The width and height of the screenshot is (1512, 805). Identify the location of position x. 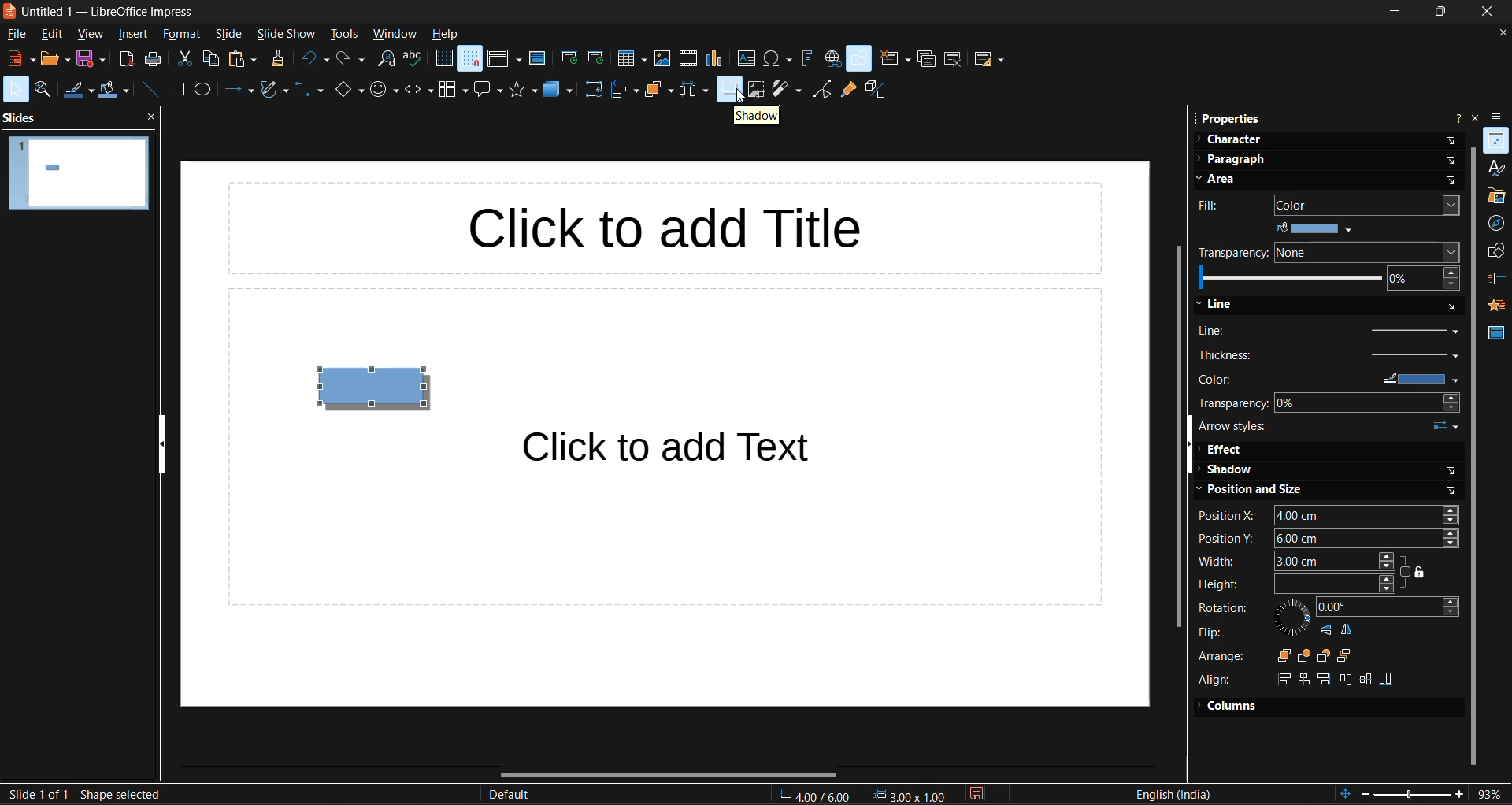
(1333, 514).